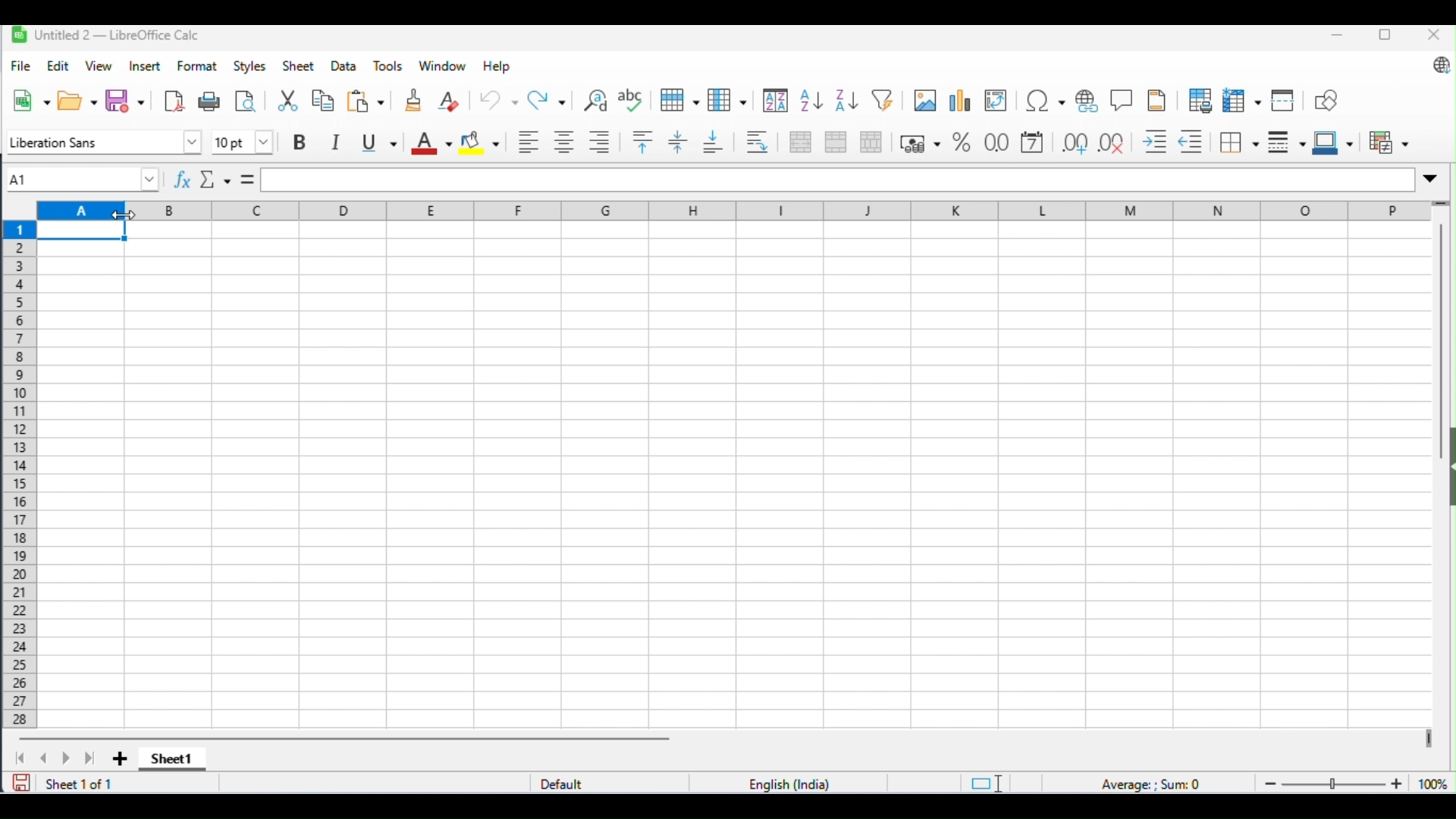 This screenshot has height=819, width=1456. What do you see at coordinates (300, 65) in the screenshot?
I see `sheet` at bounding box center [300, 65].